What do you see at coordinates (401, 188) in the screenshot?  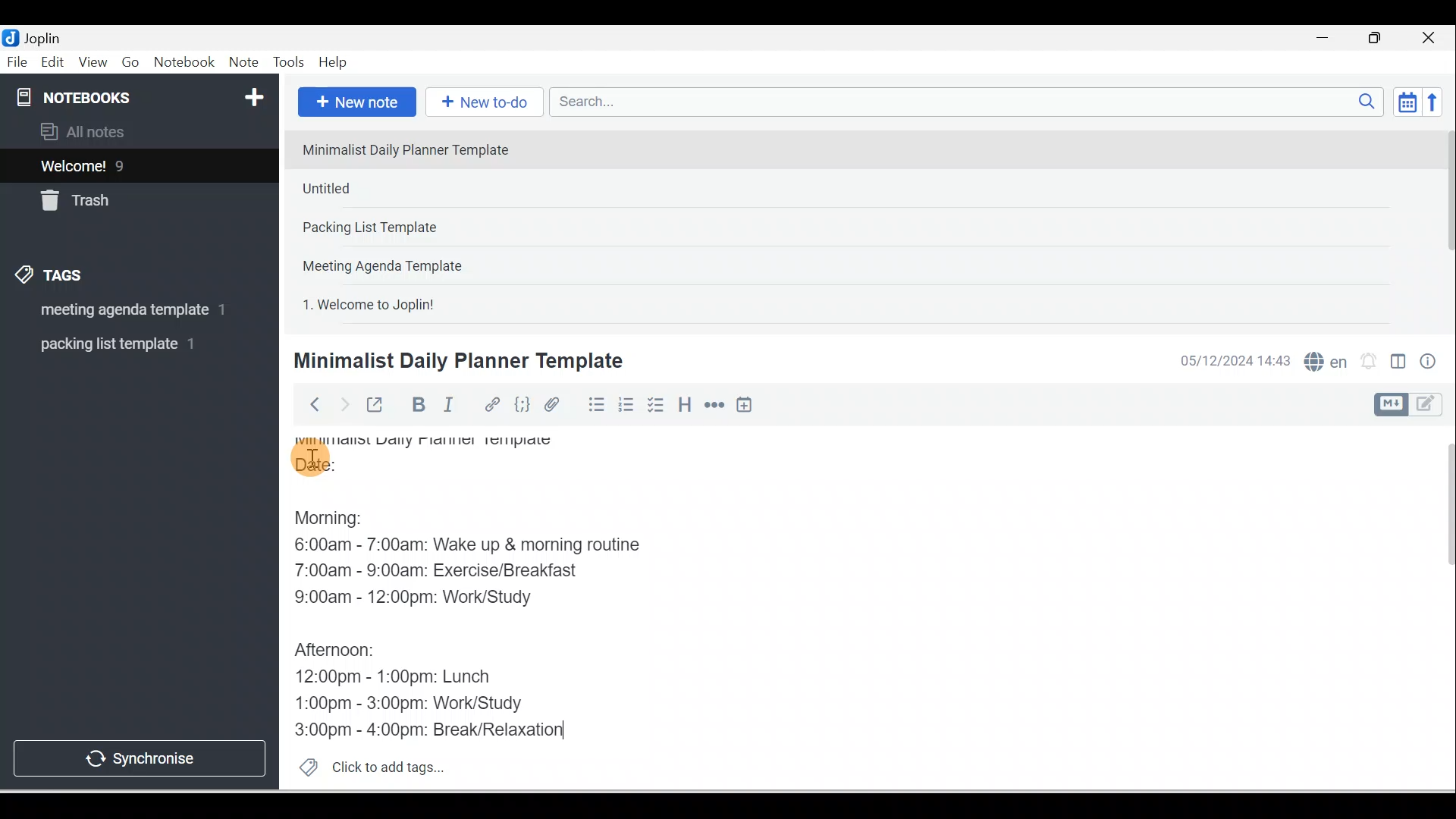 I see `Note 2` at bounding box center [401, 188].